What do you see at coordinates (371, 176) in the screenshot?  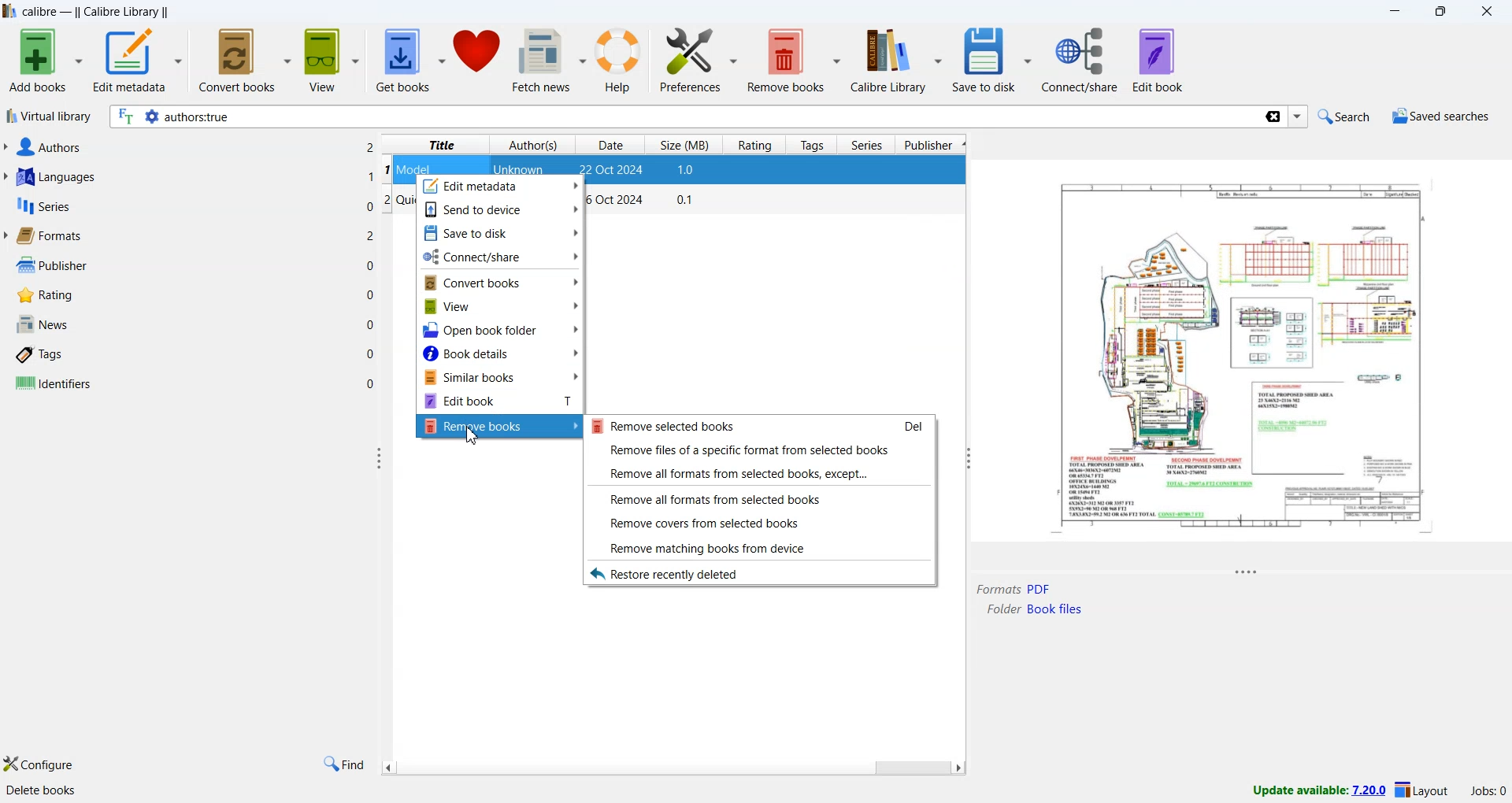 I see `1` at bounding box center [371, 176].